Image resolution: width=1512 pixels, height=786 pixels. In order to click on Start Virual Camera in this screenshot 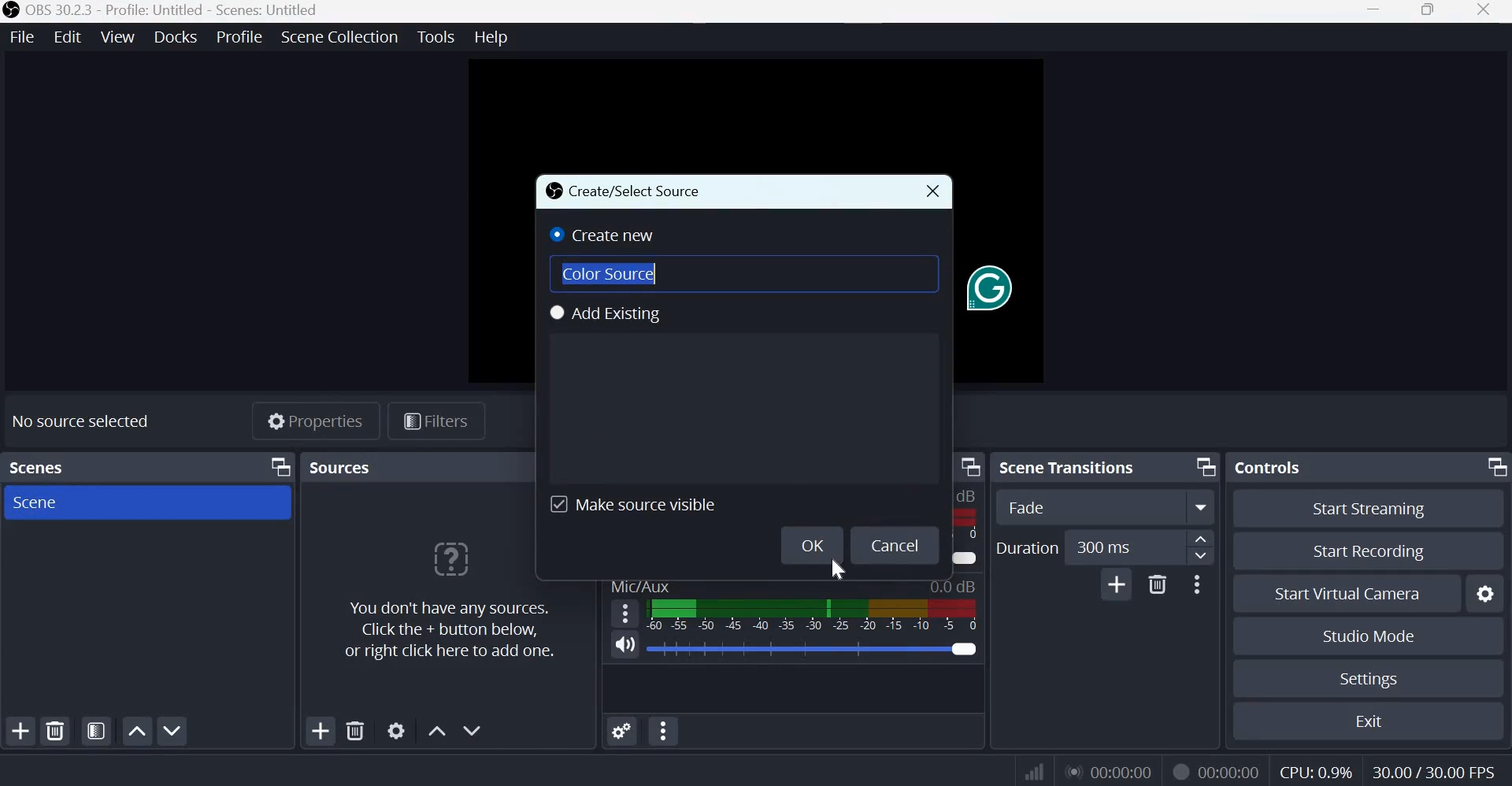, I will do `click(1347, 595)`.